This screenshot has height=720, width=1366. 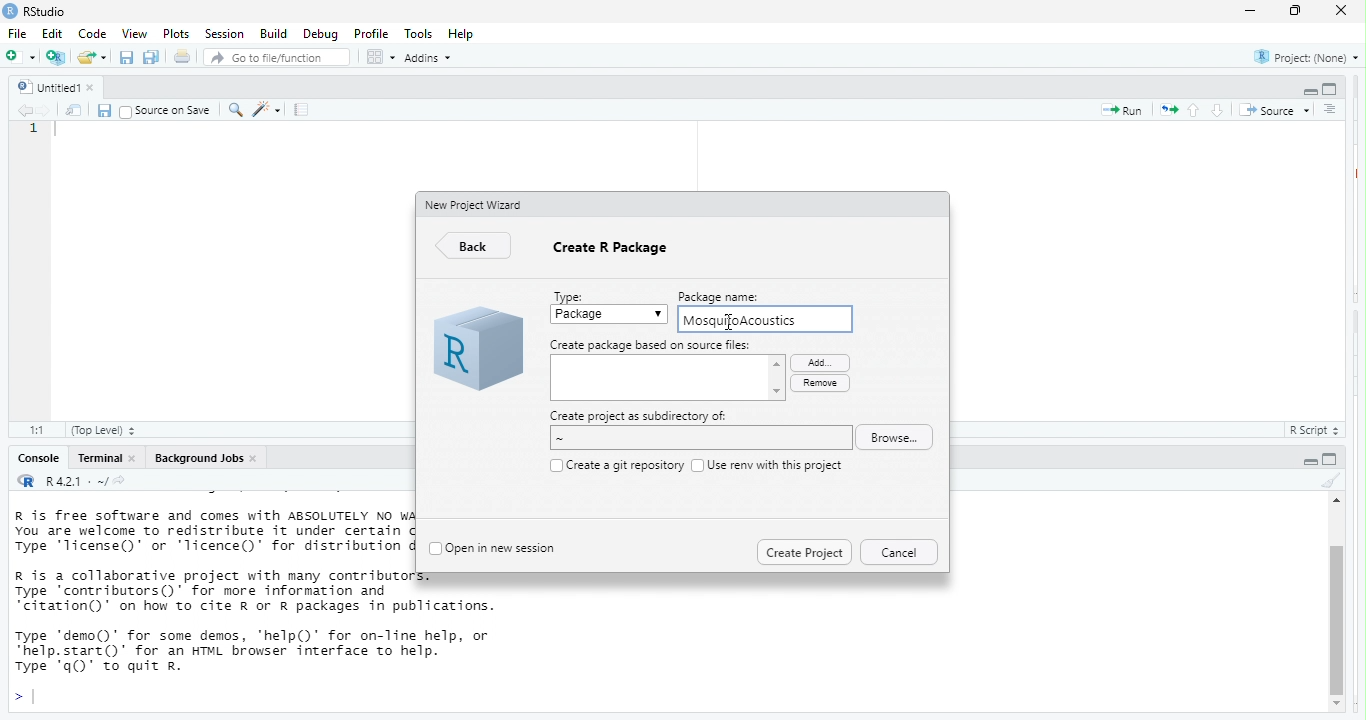 I want to click on r studio logo, so click(x=9, y=11).